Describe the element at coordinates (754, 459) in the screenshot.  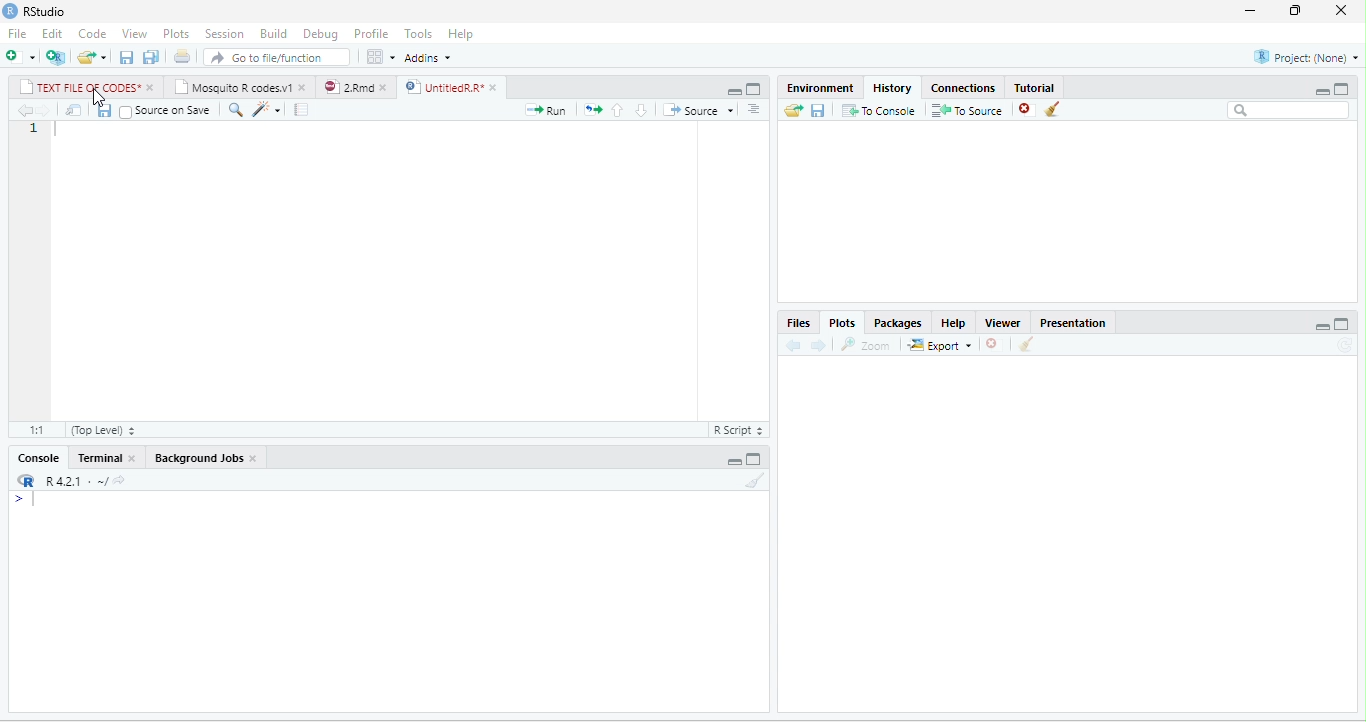
I see `maximize` at that location.